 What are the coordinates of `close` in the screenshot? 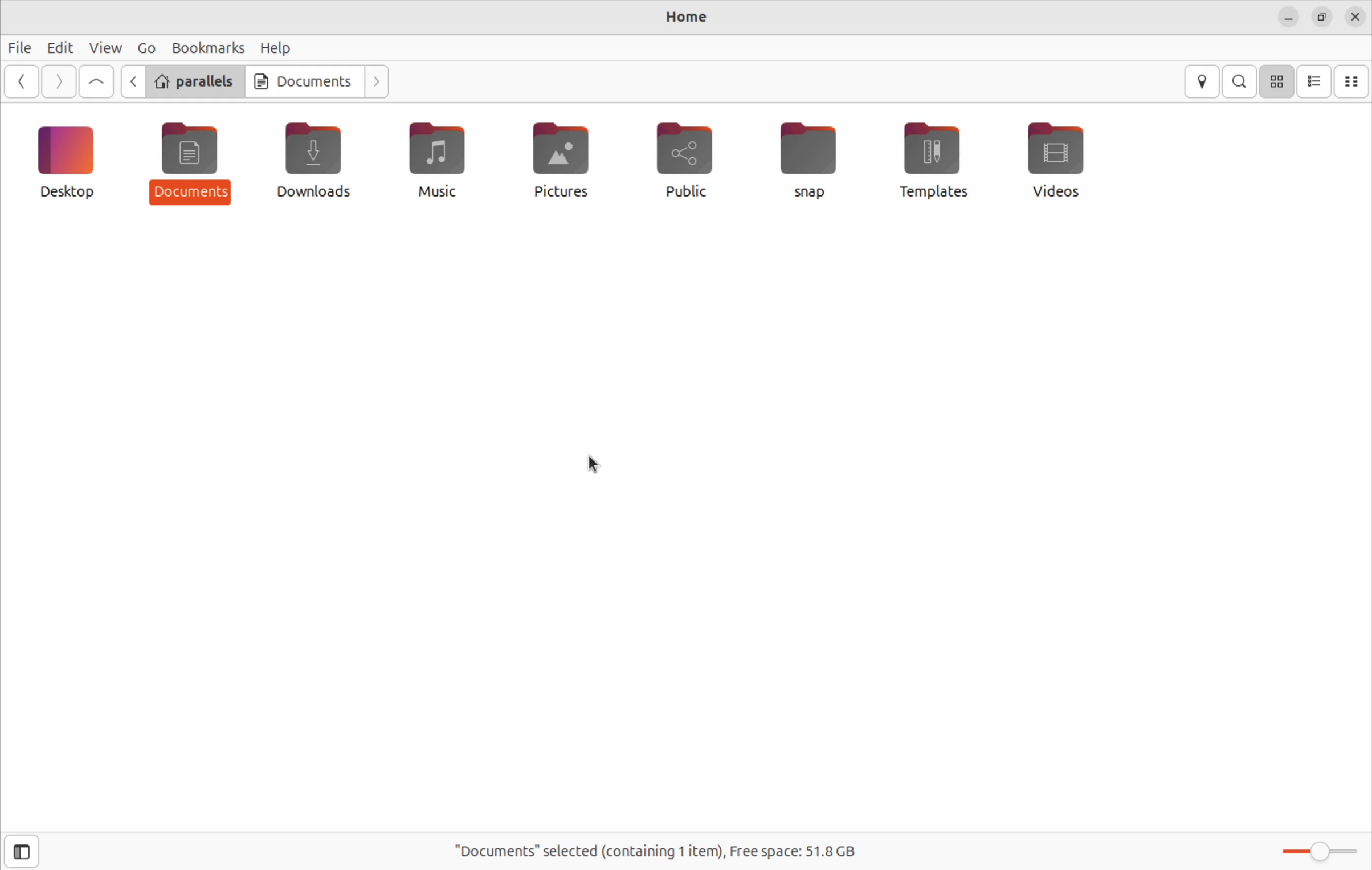 It's located at (1357, 16).